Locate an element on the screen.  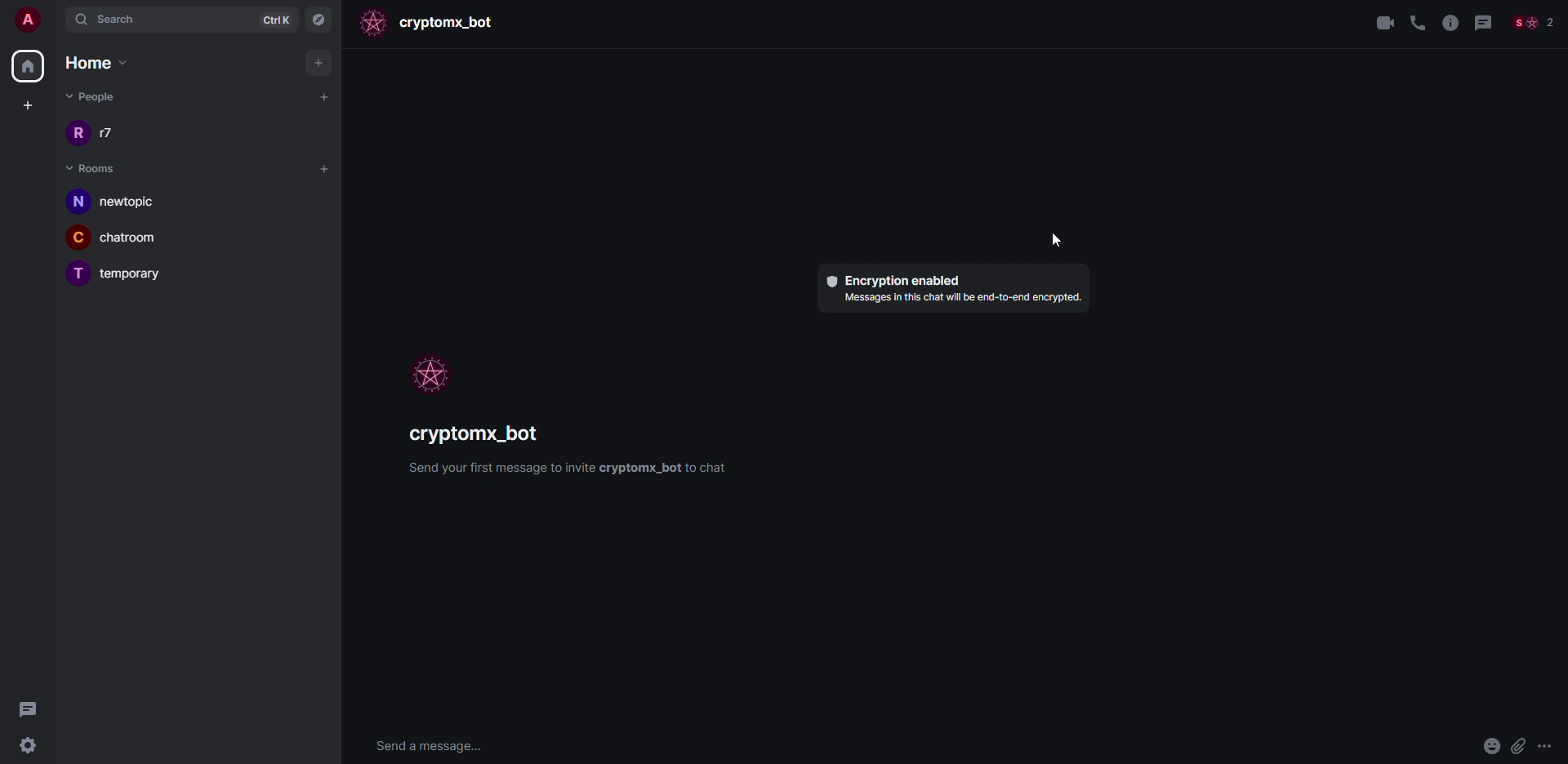
add is located at coordinates (323, 169).